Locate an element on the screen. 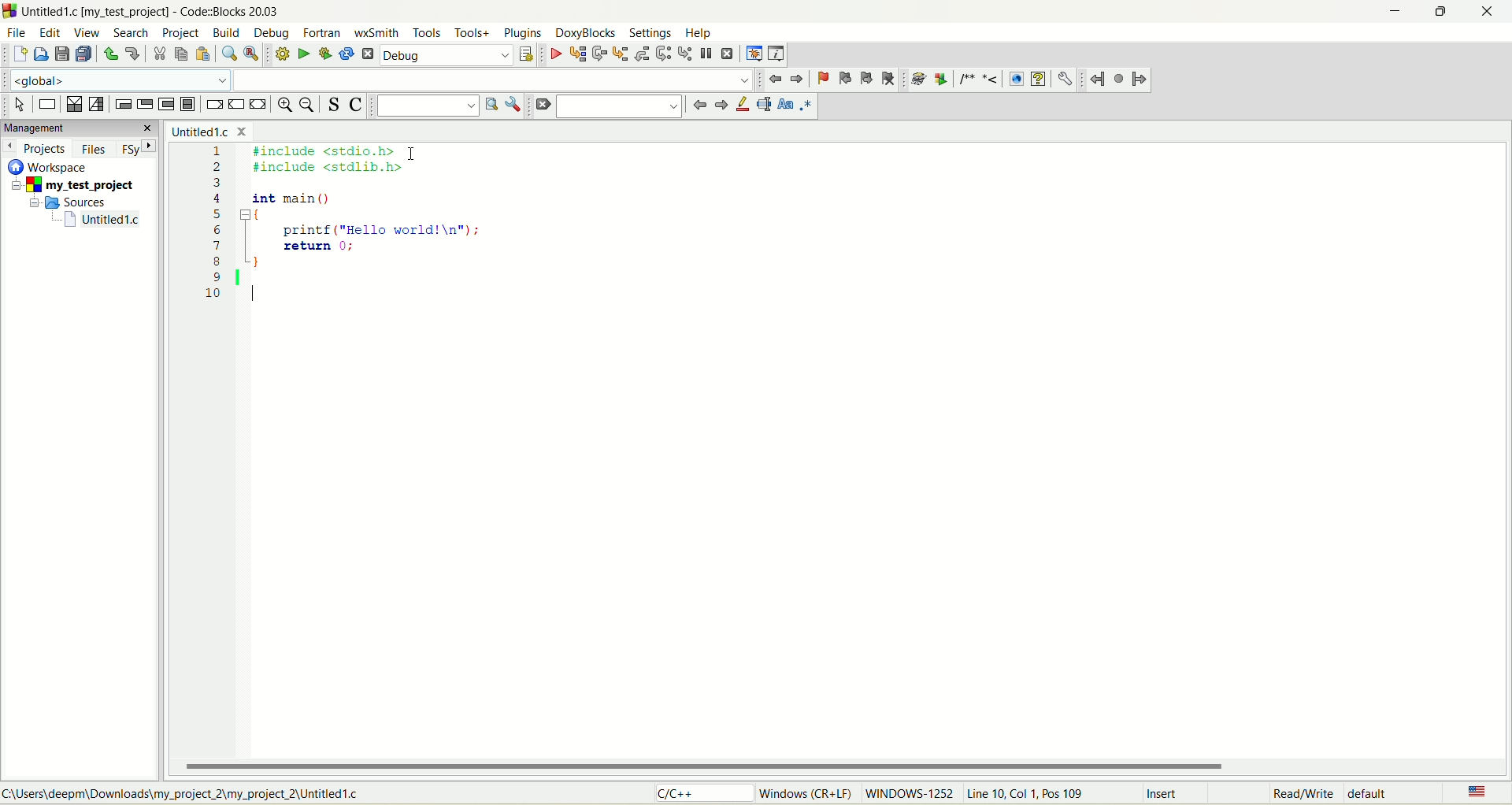 The height and width of the screenshot is (805, 1512). select target dialog is located at coordinates (527, 54).